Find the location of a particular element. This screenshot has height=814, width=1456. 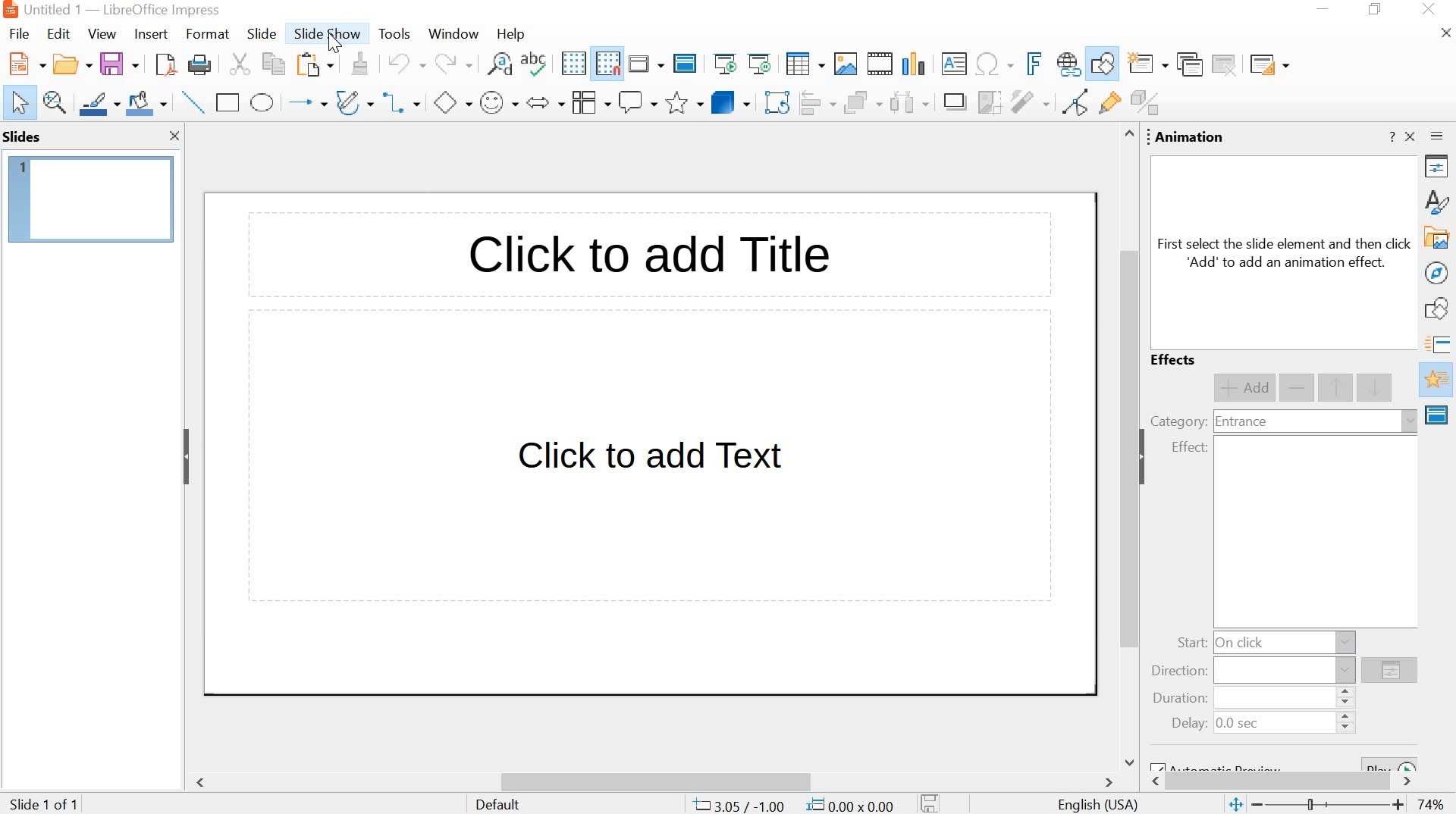

copy is located at coordinates (270, 64).